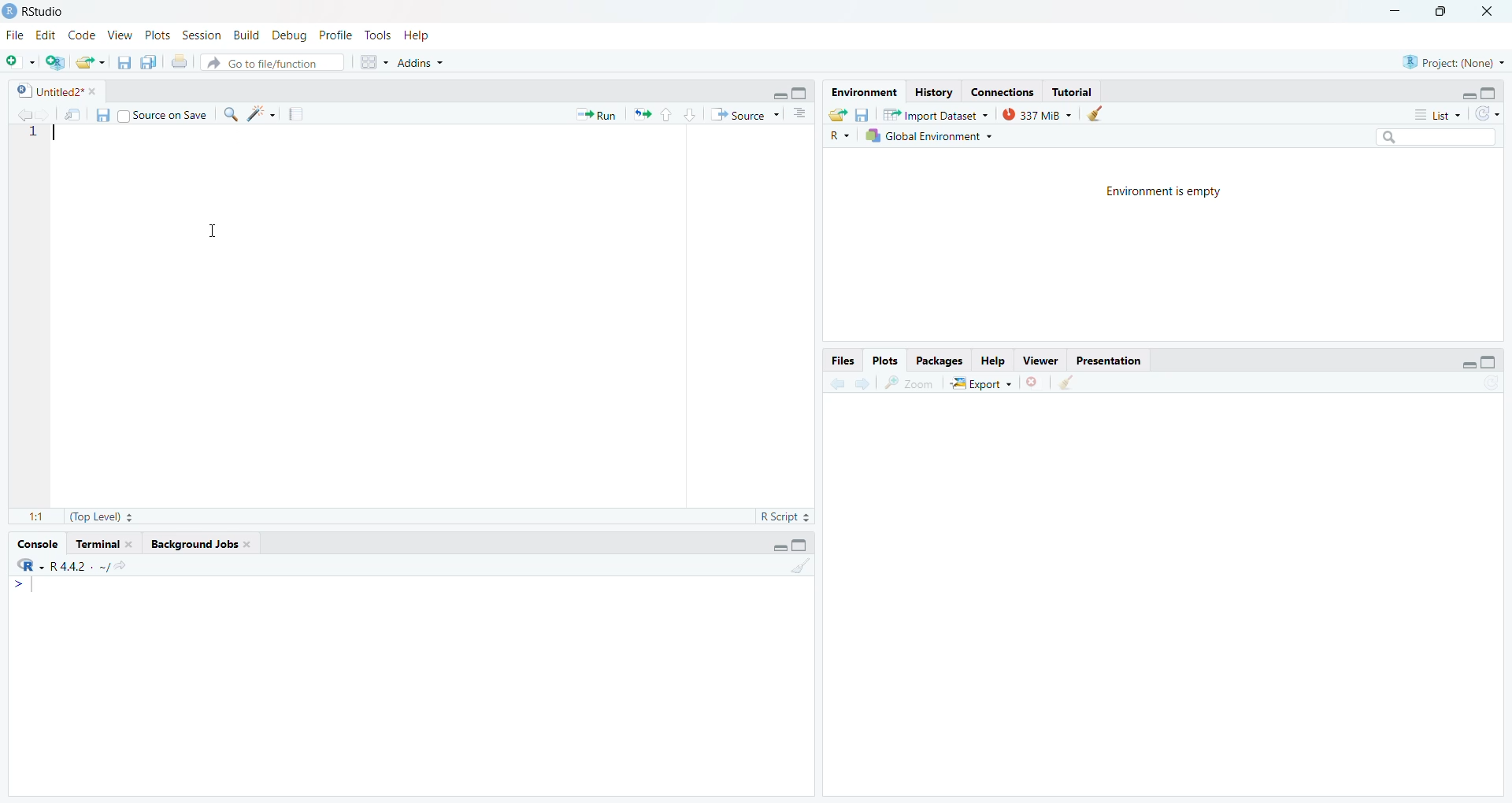 The width and height of the screenshot is (1512, 803). I want to click on 1, so click(34, 132).